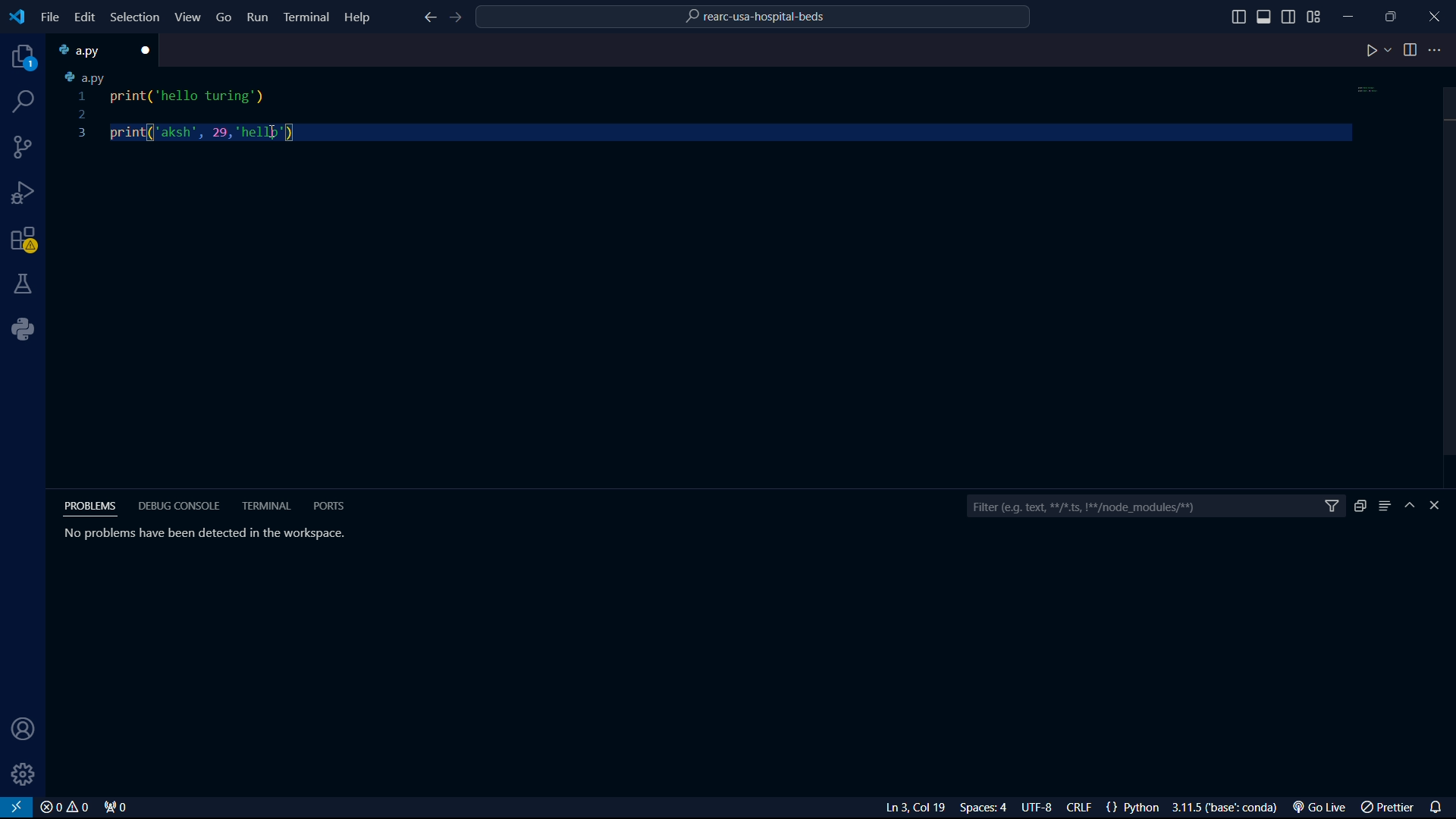 The image size is (1456, 819). I want to click on duplicate, so click(1360, 506).